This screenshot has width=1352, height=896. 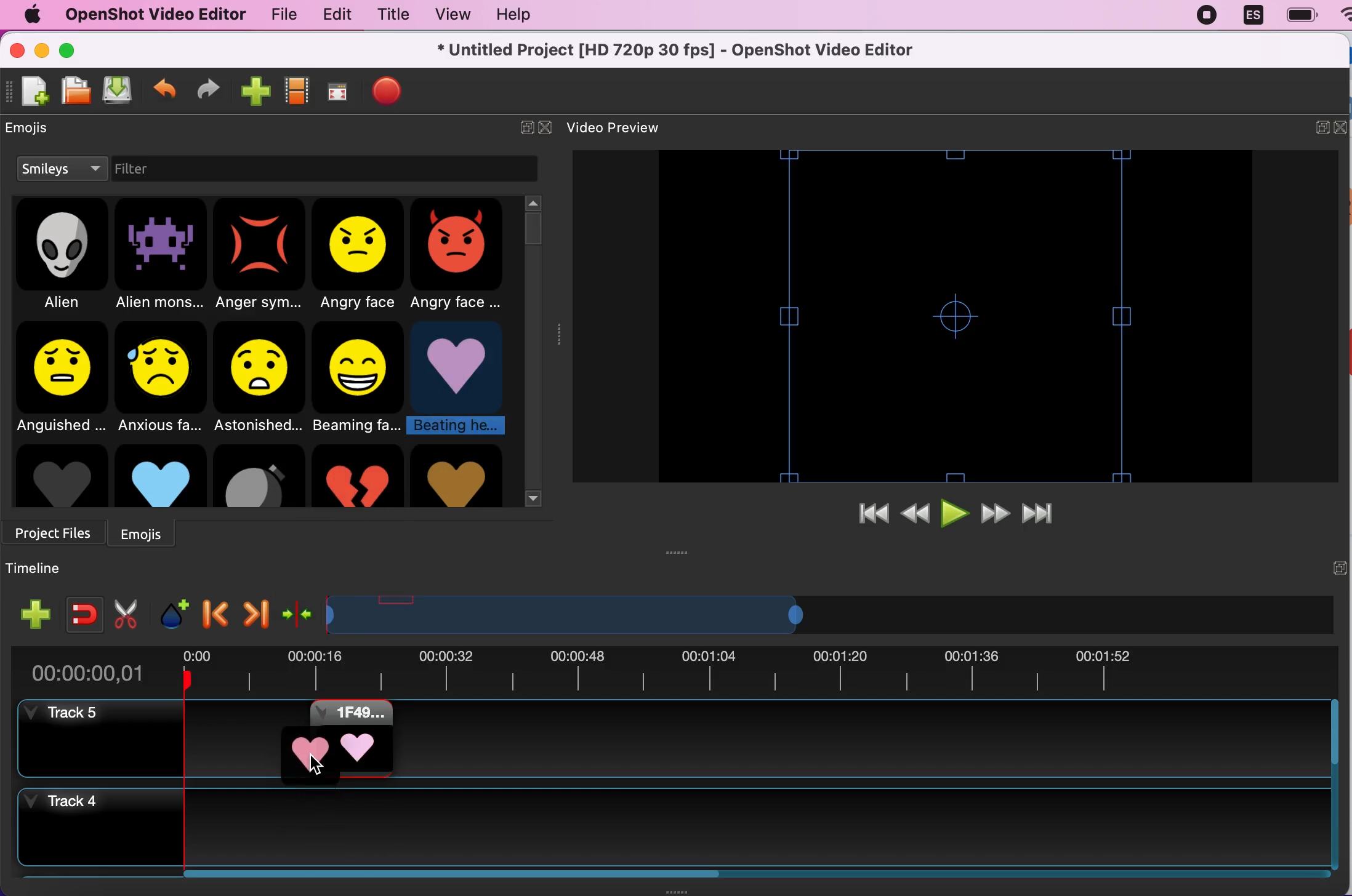 I want to click on astonished, so click(x=260, y=377).